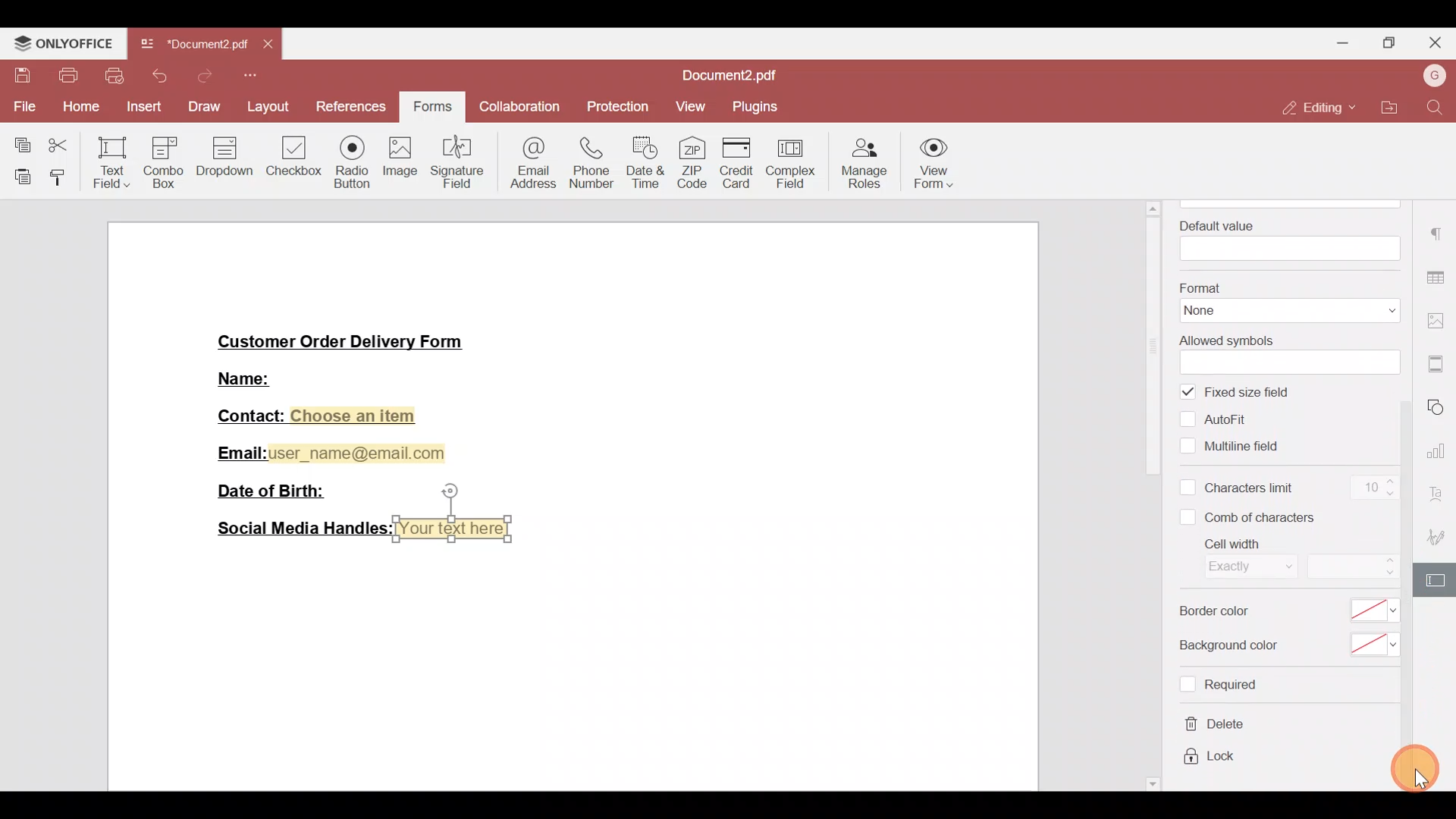 The width and height of the screenshot is (1456, 819). What do you see at coordinates (1438, 579) in the screenshot?
I see `Form settings` at bounding box center [1438, 579].